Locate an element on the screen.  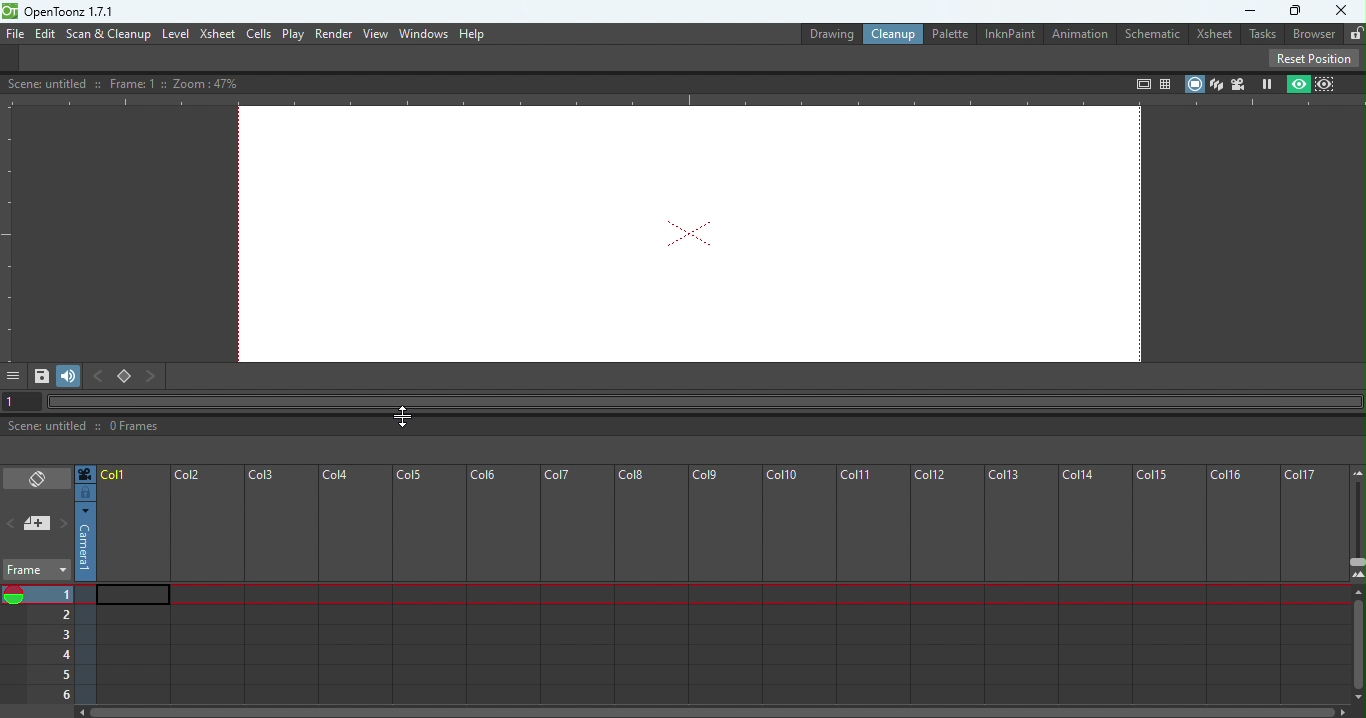
Xsheet is located at coordinates (1214, 34).